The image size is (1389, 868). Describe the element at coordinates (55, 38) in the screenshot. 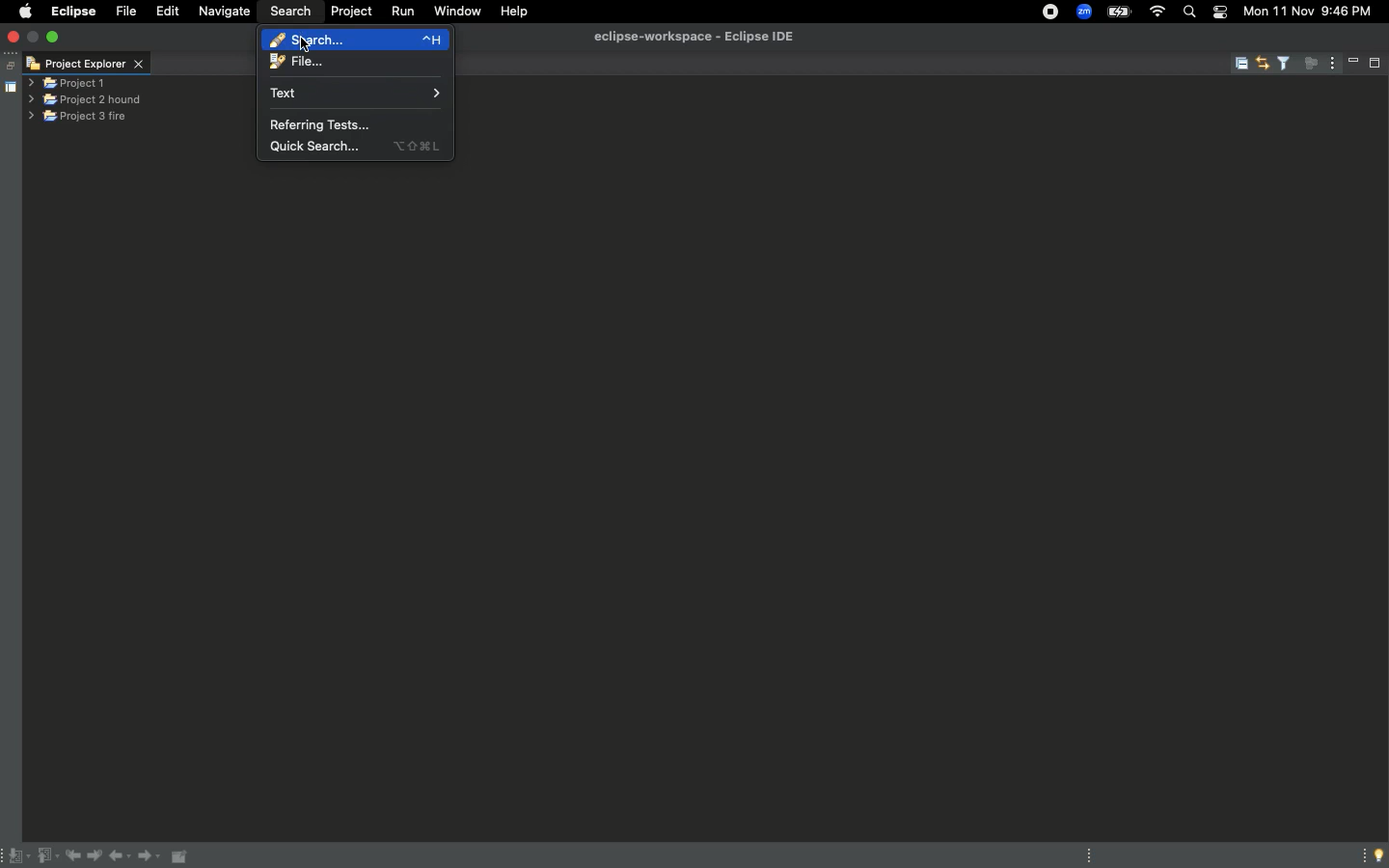

I see `Maximize` at that location.